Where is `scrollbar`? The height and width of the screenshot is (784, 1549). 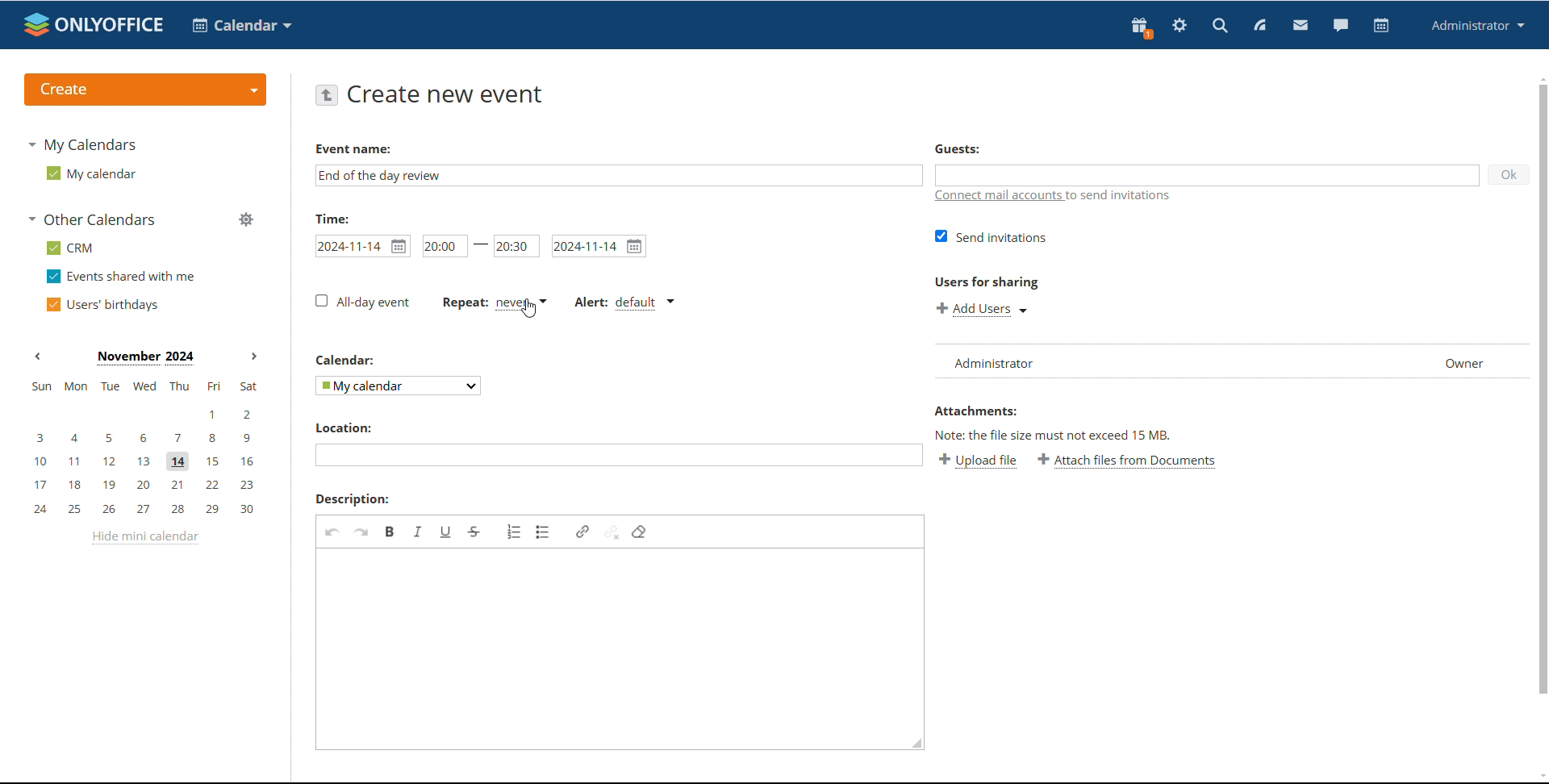
scrollbar is located at coordinates (1543, 389).